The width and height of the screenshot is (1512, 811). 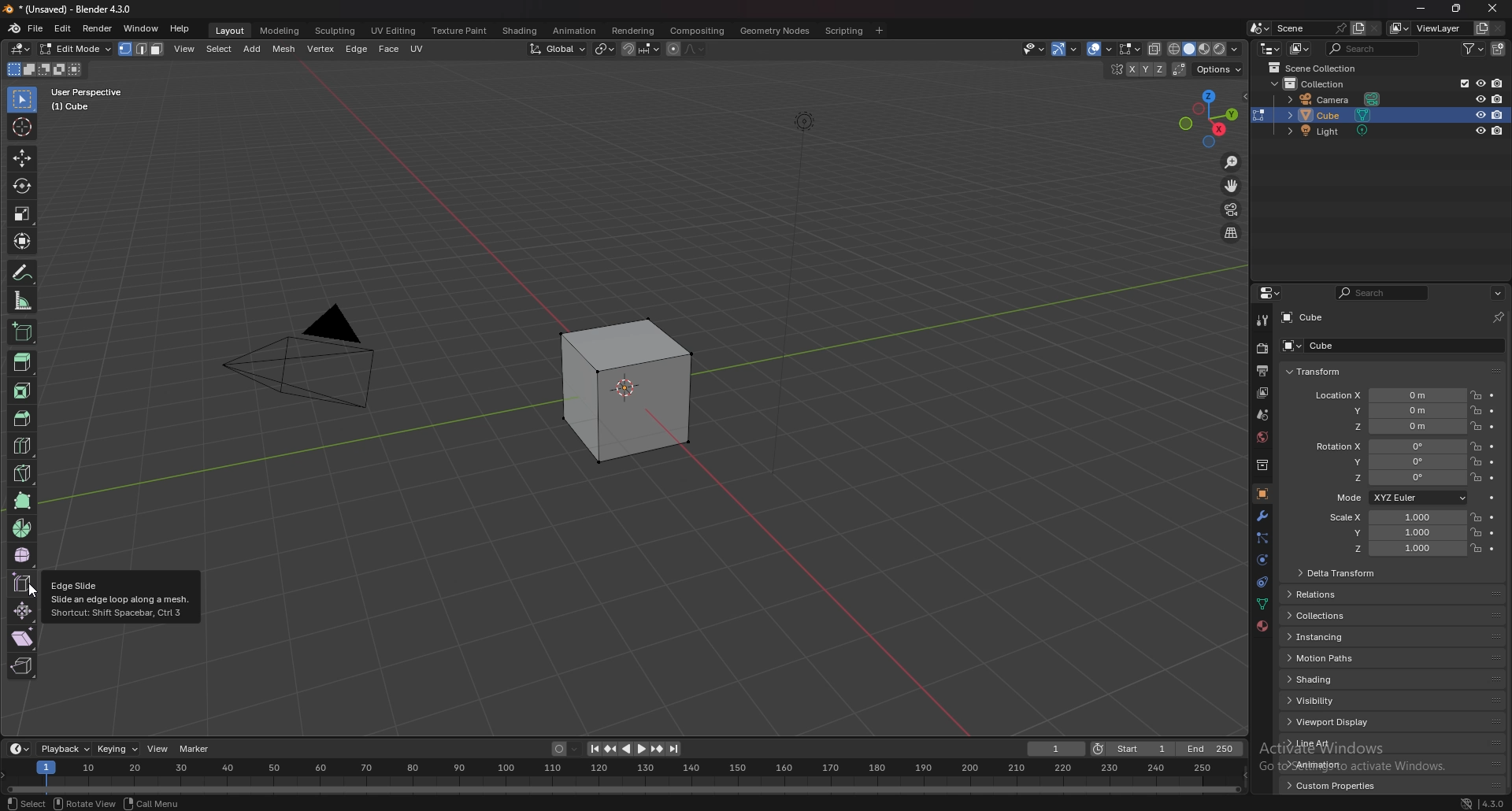 I want to click on loop cut, so click(x=22, y=446).